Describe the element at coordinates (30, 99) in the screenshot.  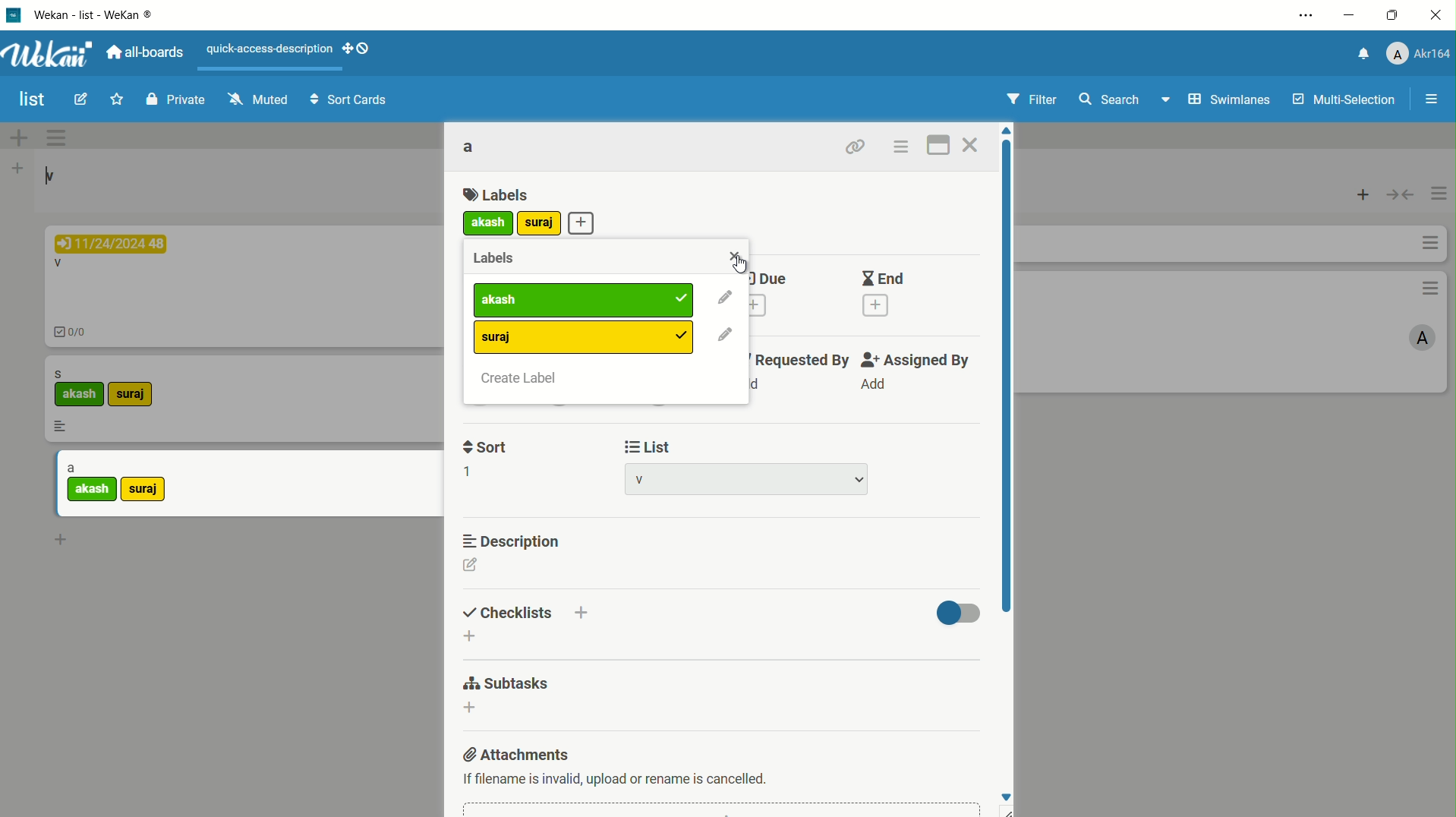
I see `board name` at that location.